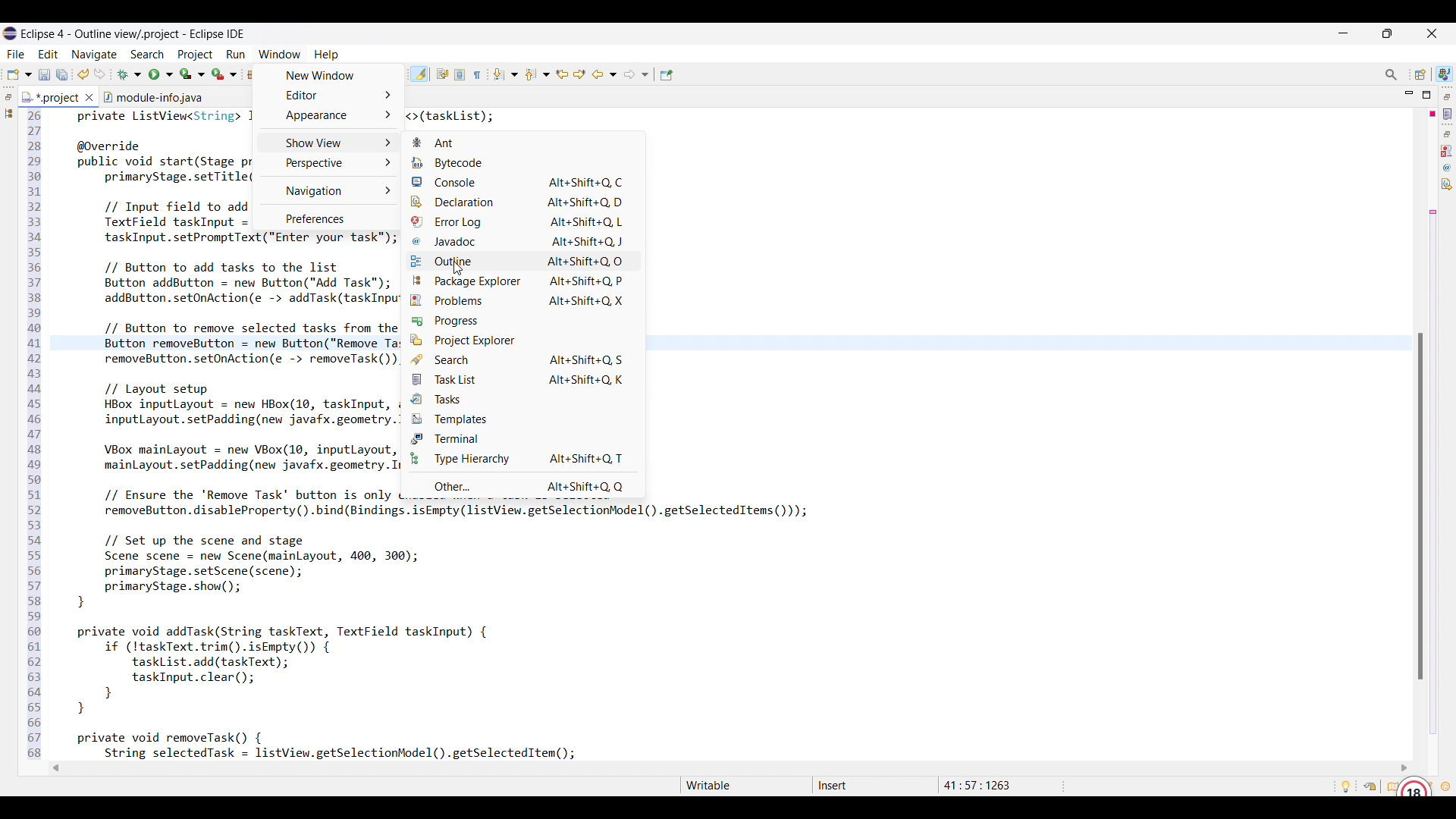  I want to click on Previous edit location, so click(562, 74).